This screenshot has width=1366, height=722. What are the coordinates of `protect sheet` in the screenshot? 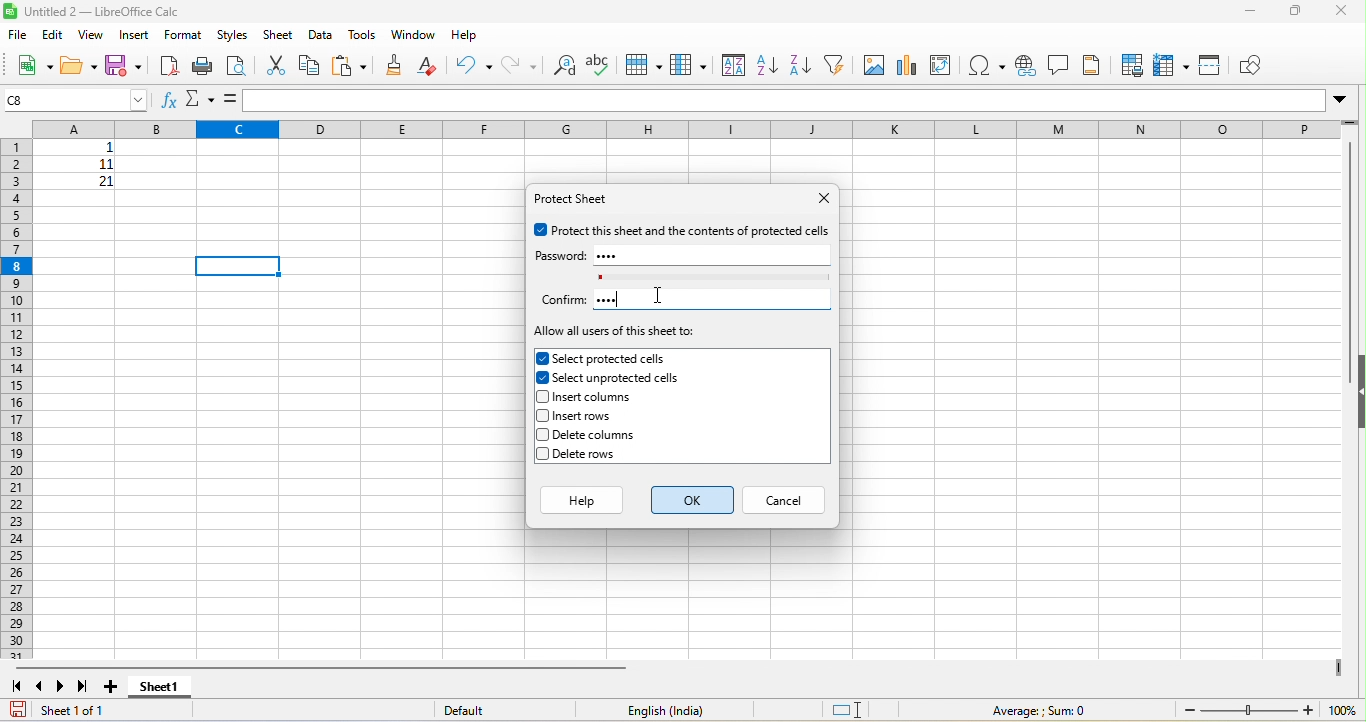 It's located at (578, 201).